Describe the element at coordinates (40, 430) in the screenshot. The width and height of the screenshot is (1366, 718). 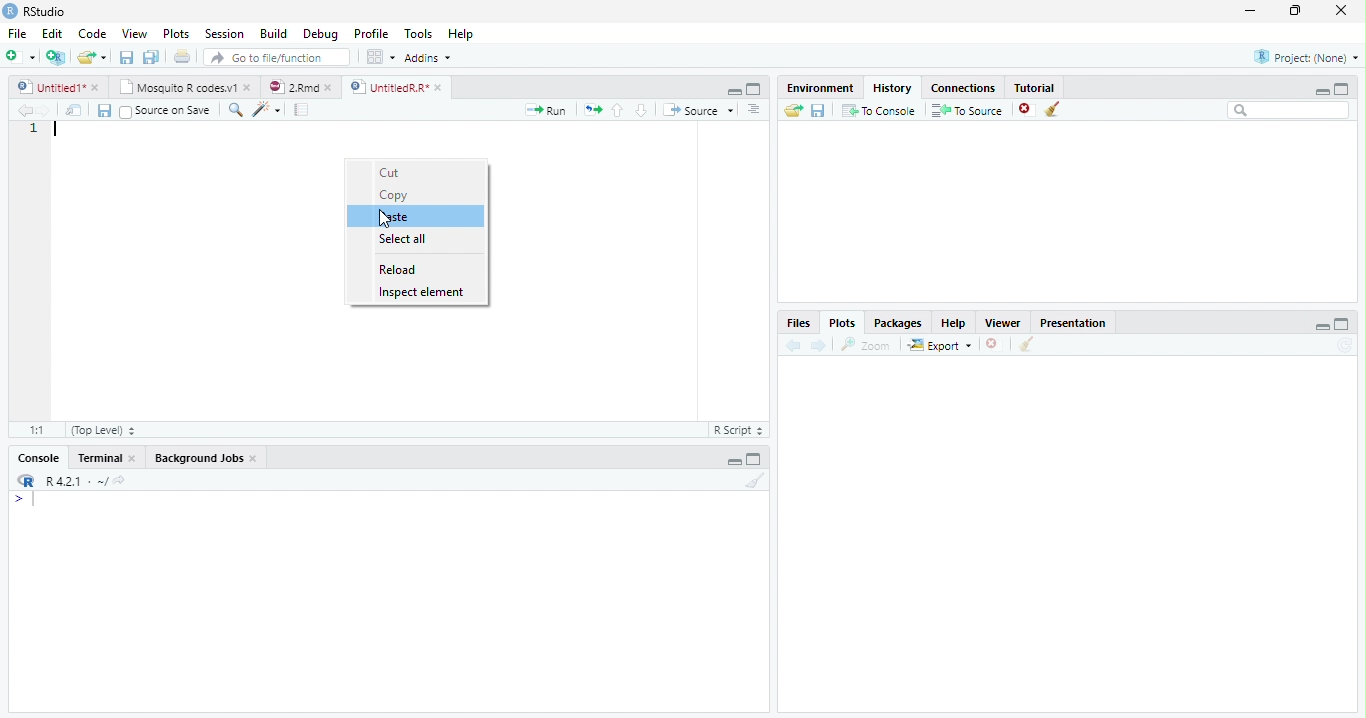
I see `1:1` at that location.